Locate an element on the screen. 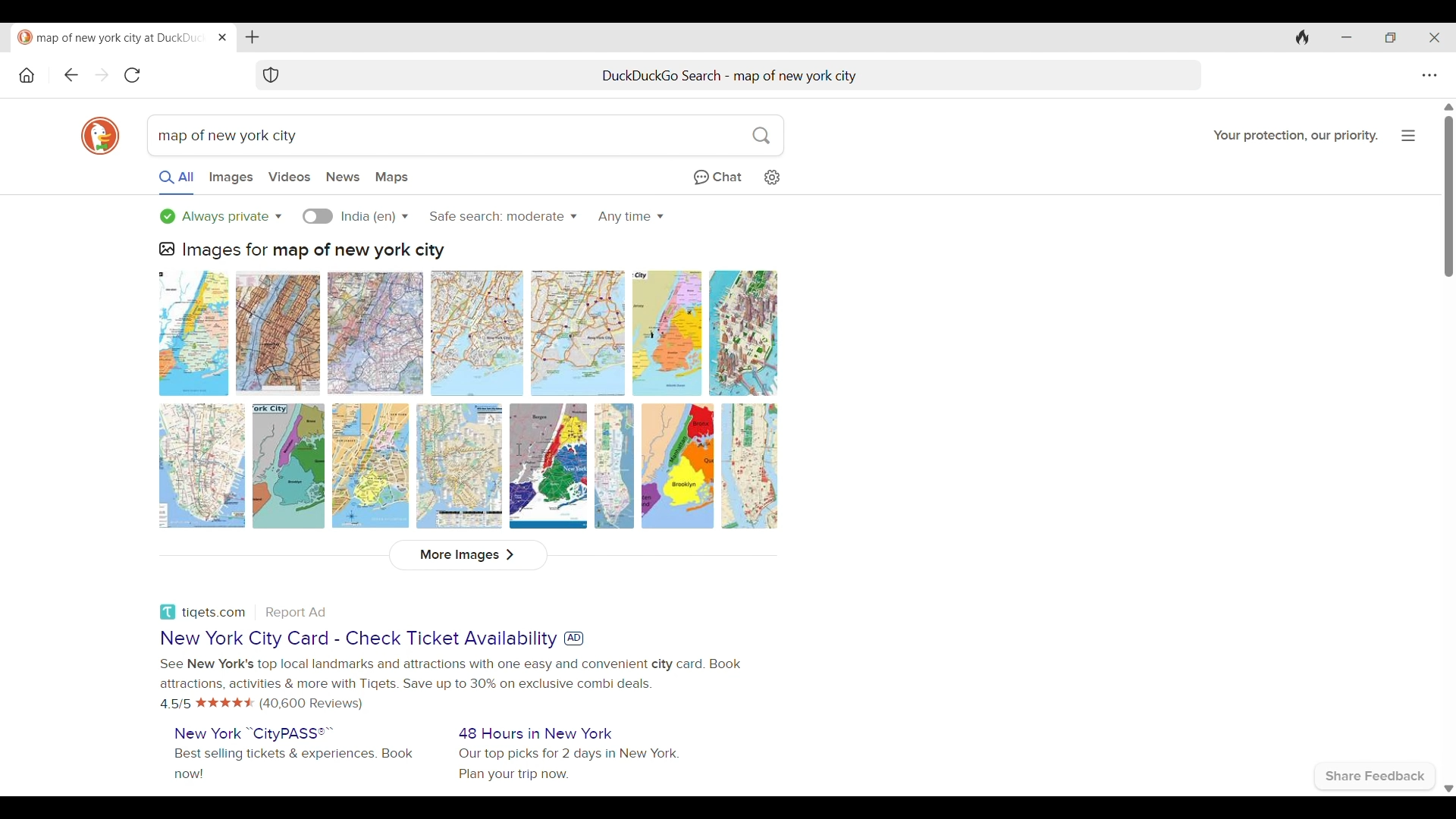  Reload page is located at coordinates (132, 74).